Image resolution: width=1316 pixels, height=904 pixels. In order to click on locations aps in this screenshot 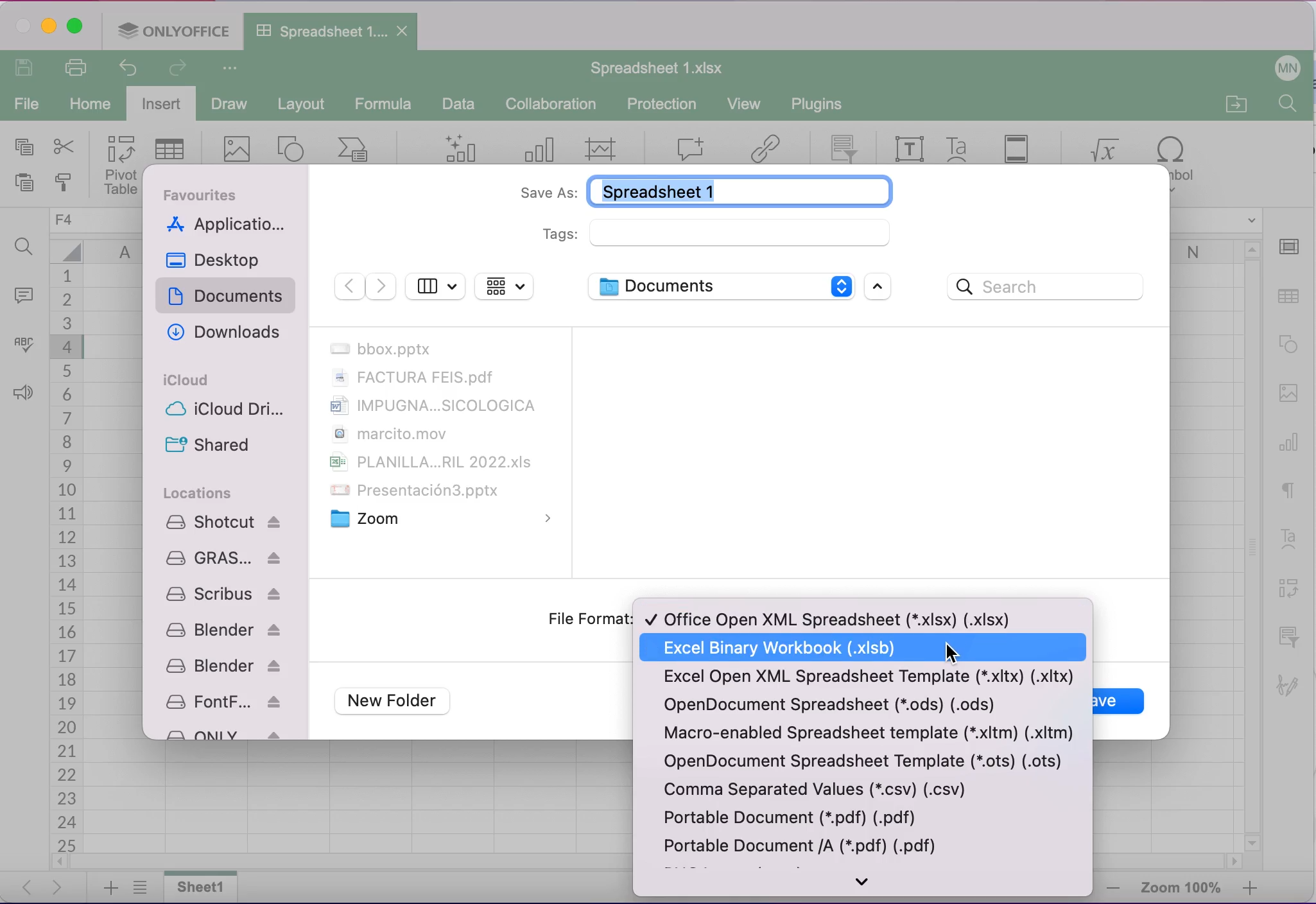, I will do `click(225, 625)`.